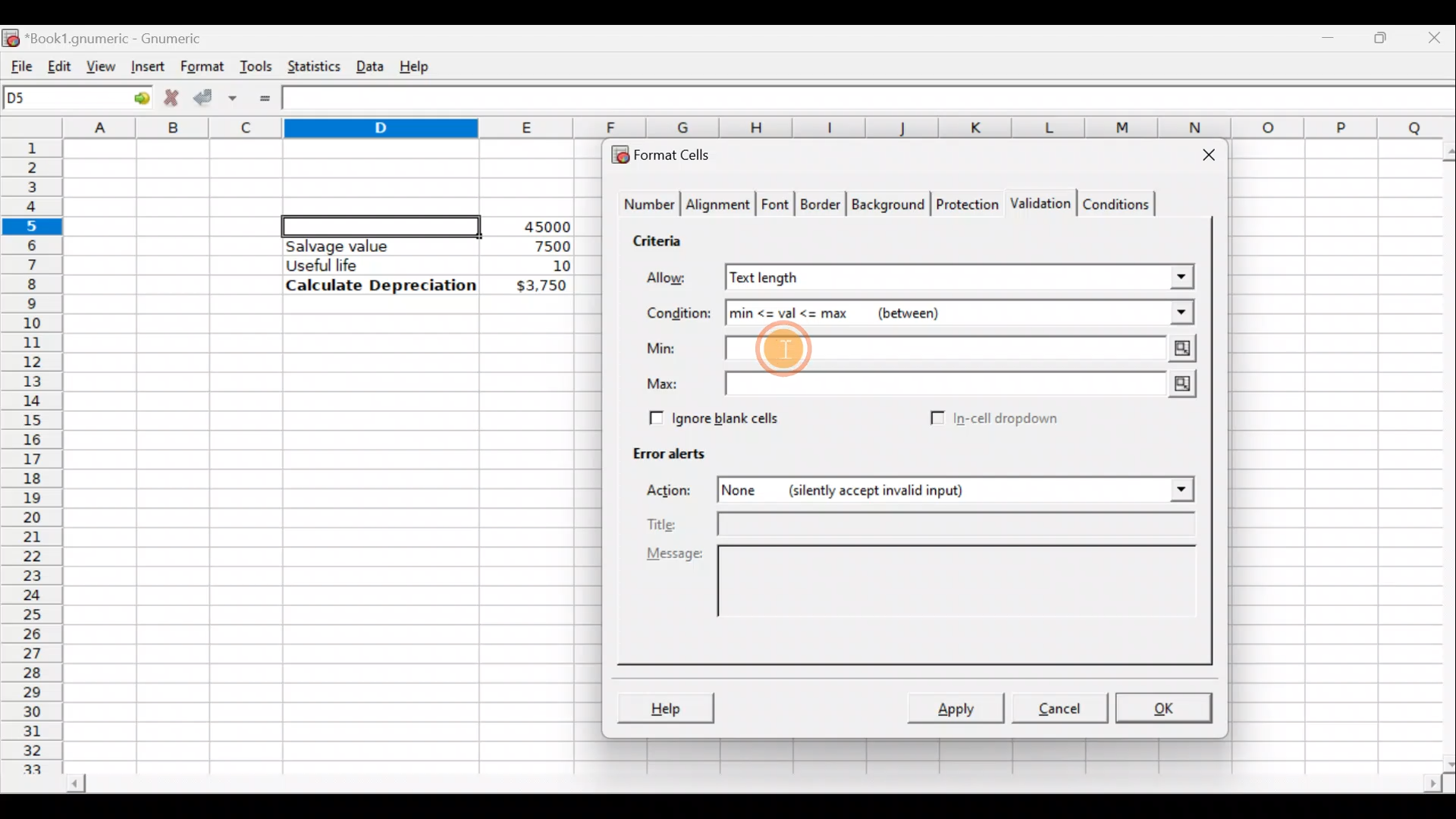 The image size is (1456, 819). I want to click on Maximize, so click(1384, 35).